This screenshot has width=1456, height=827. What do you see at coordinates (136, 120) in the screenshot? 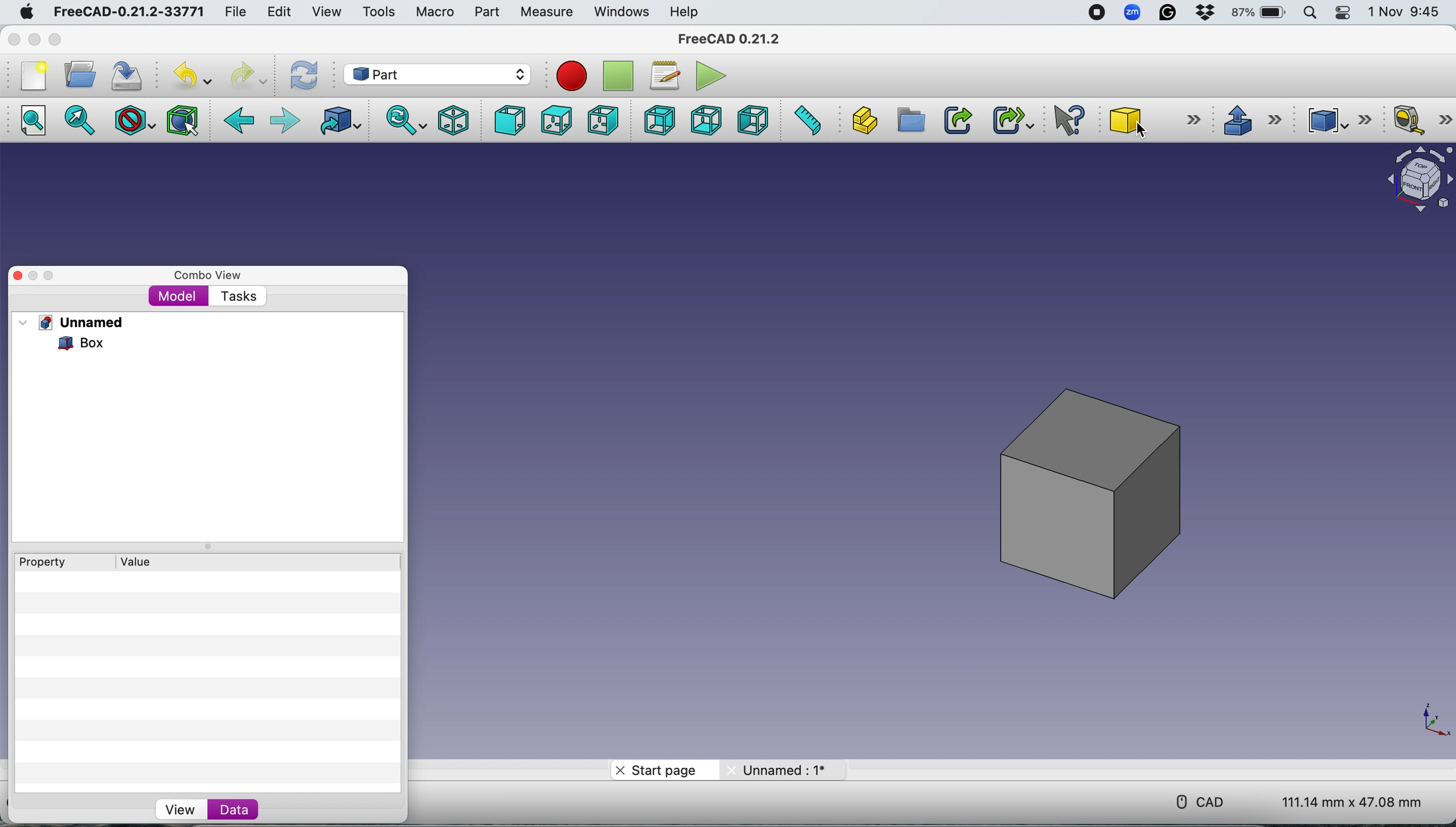
I see `Draw style` at bounding box center [136, 120].